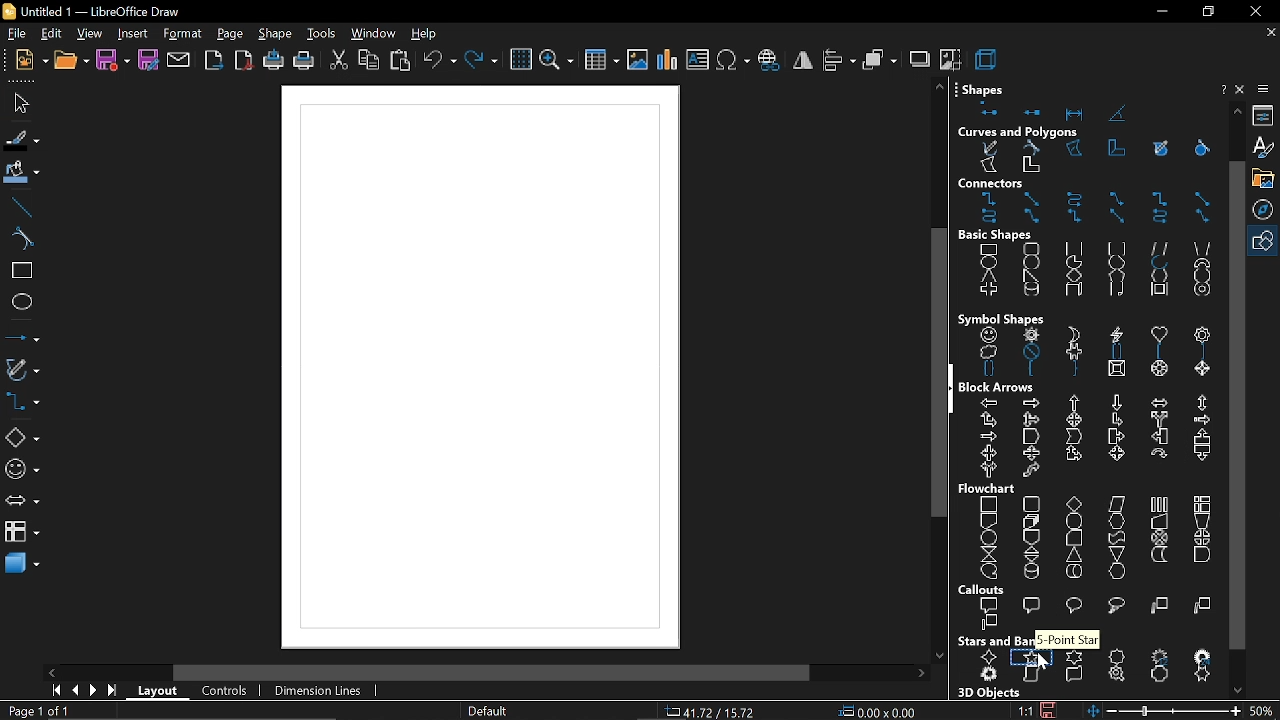 This screenshot has height=720, width=1280. What do you see at coordinates (22, 173) in the screenshot?
I see `fill color` at bounding box center [22, 173].